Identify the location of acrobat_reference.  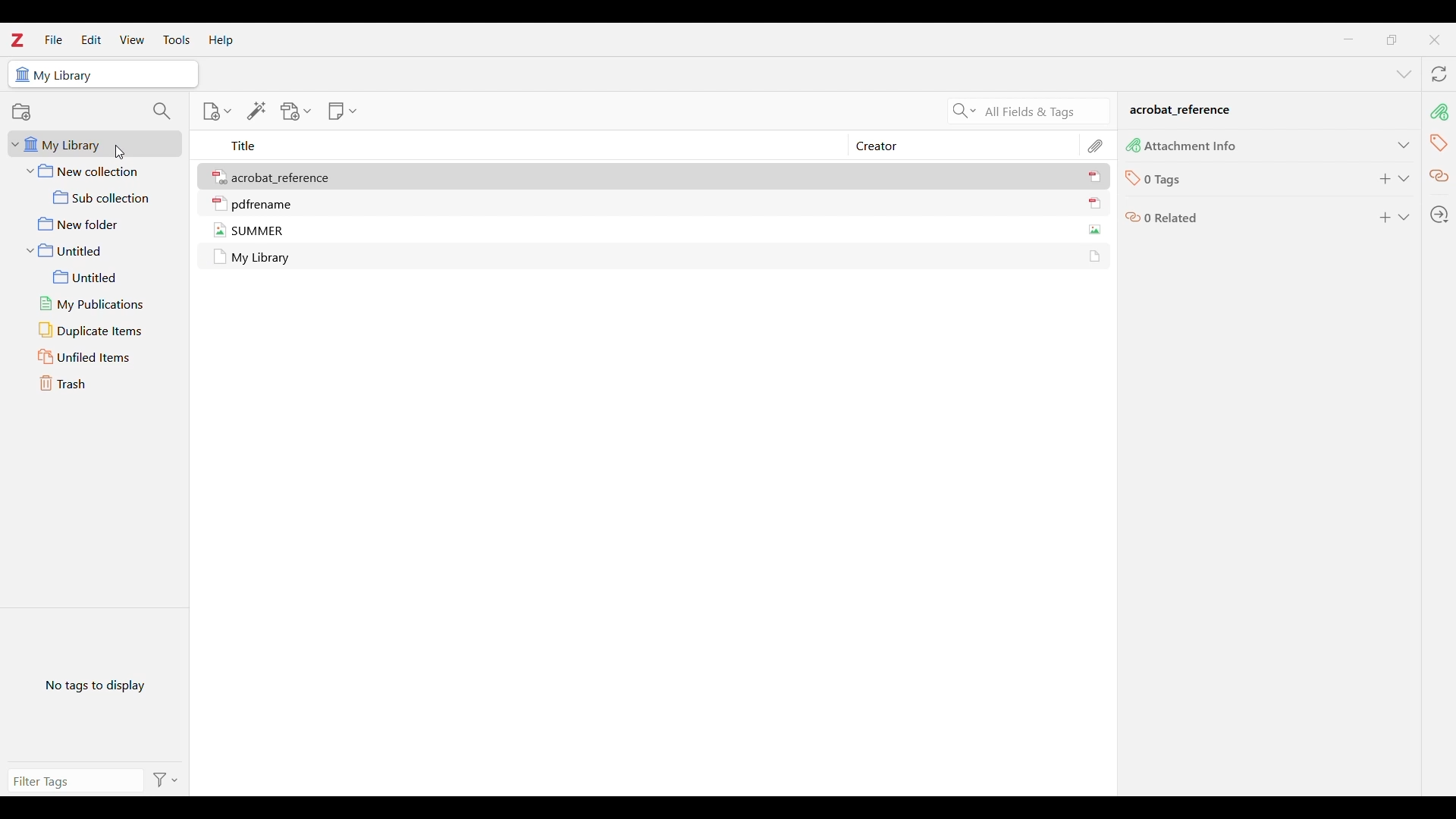
(284, 178).